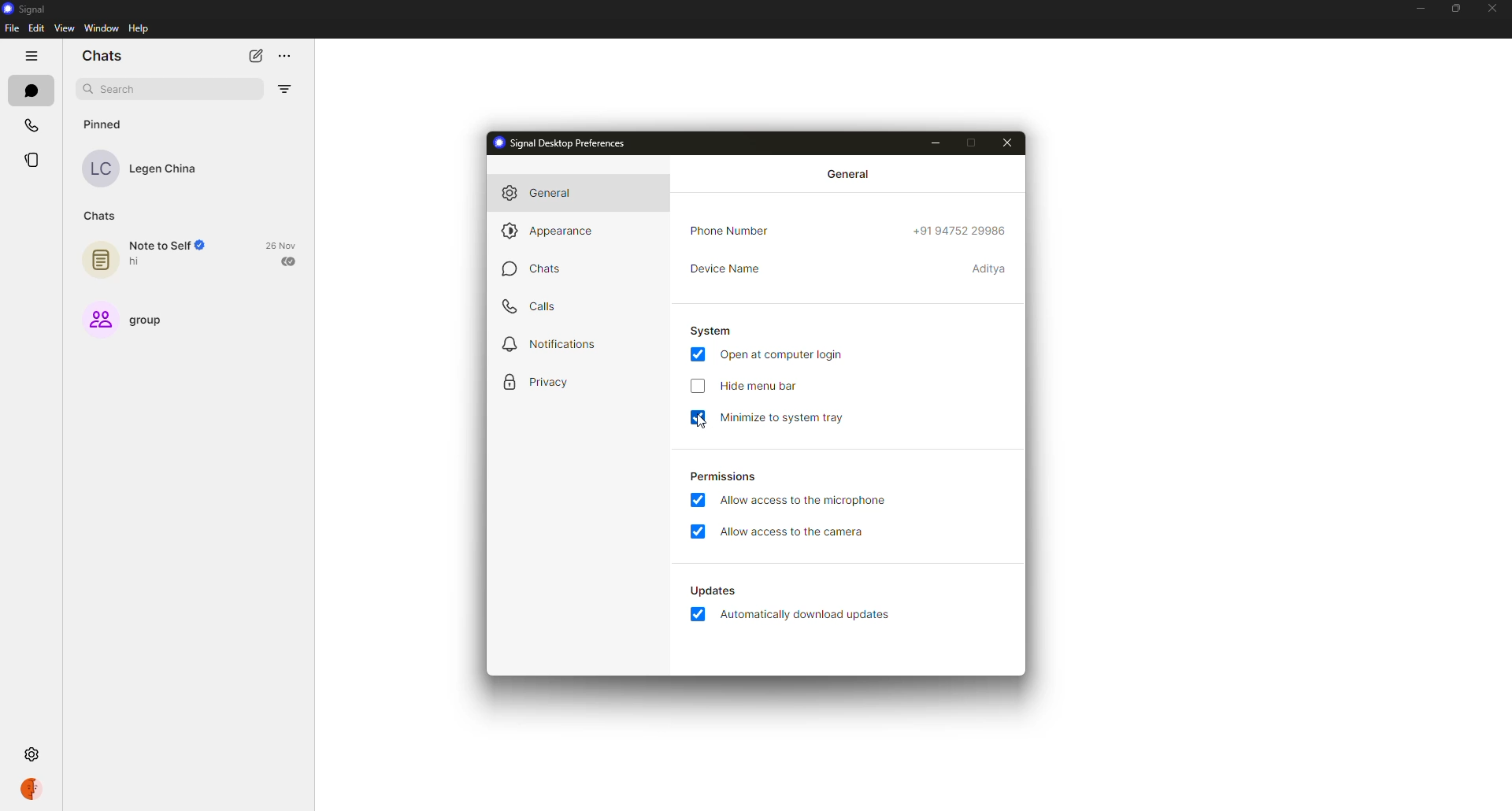  What do you see at coordinates (725, 268) in the screenshot?
I see `device name` at bounding box center [725, 268].